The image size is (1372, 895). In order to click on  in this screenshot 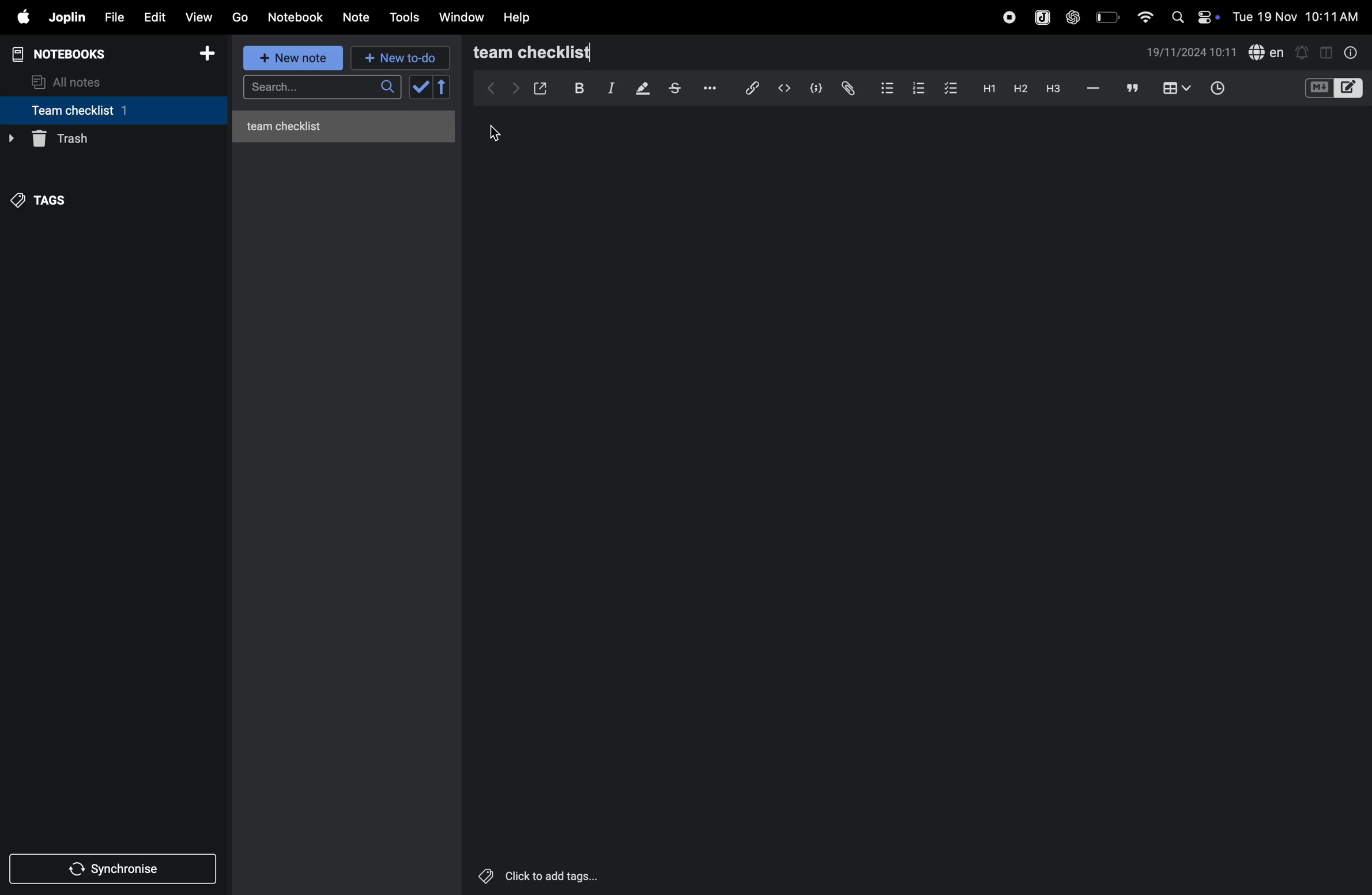, I will do `click(553, 876)`.